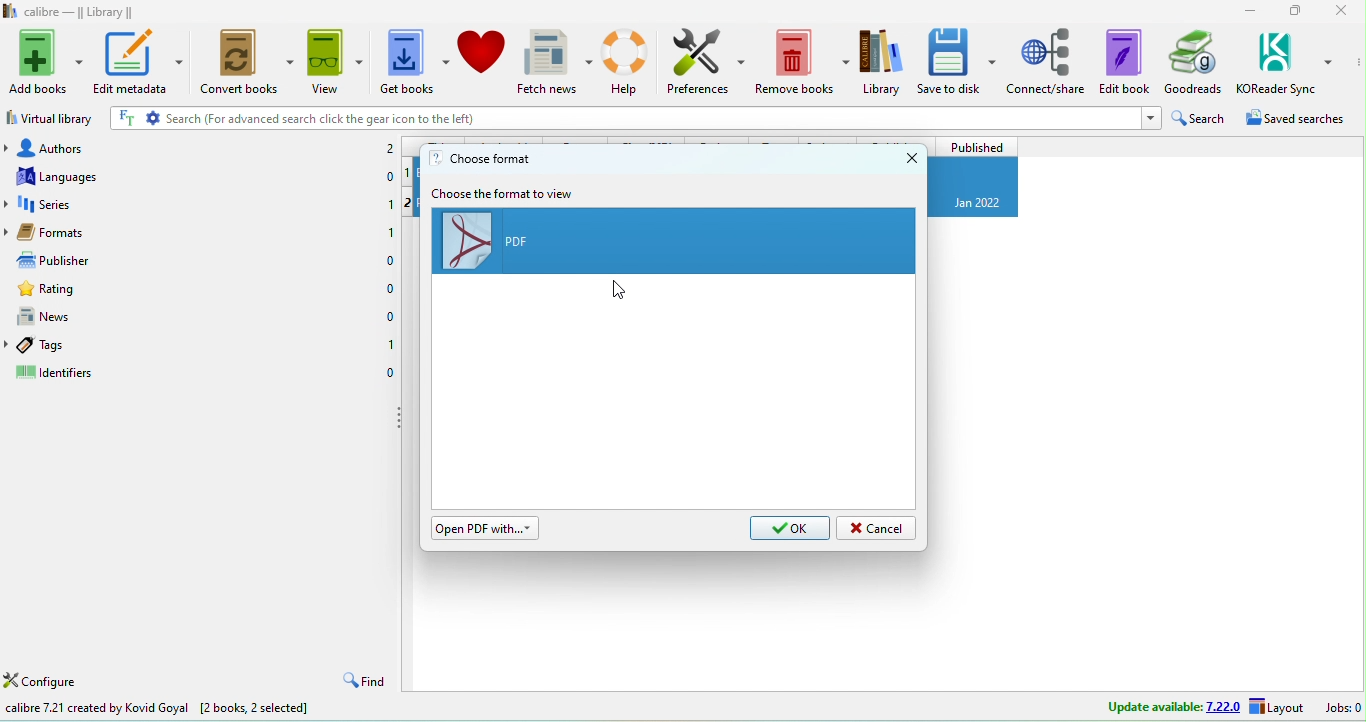 The height and width of the screenshot is (722, 1366). I want to click on Add books, so click(43, 61).